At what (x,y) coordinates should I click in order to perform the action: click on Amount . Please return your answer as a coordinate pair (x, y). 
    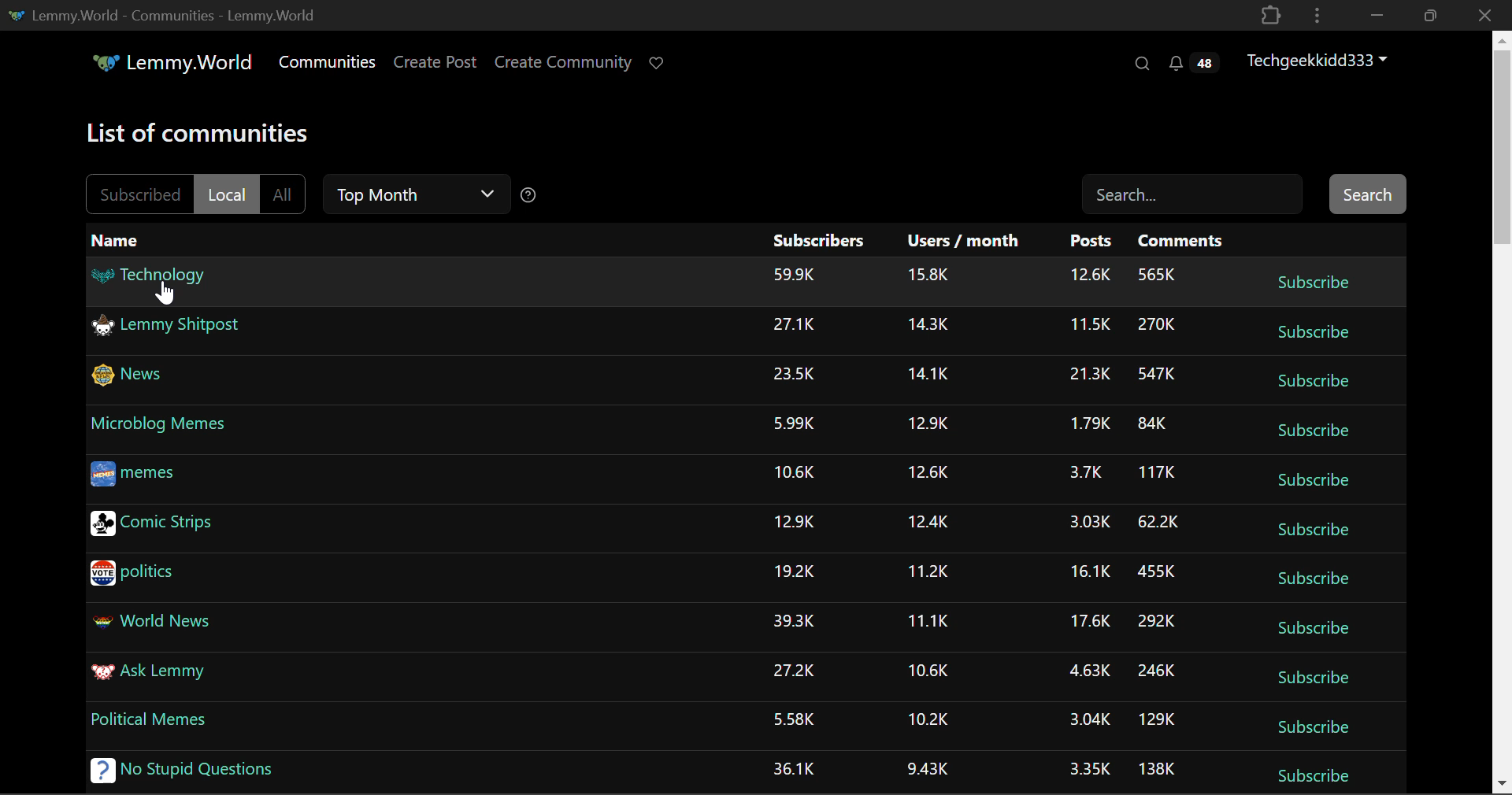
    Looking at the image, I should click on (1158, 623).